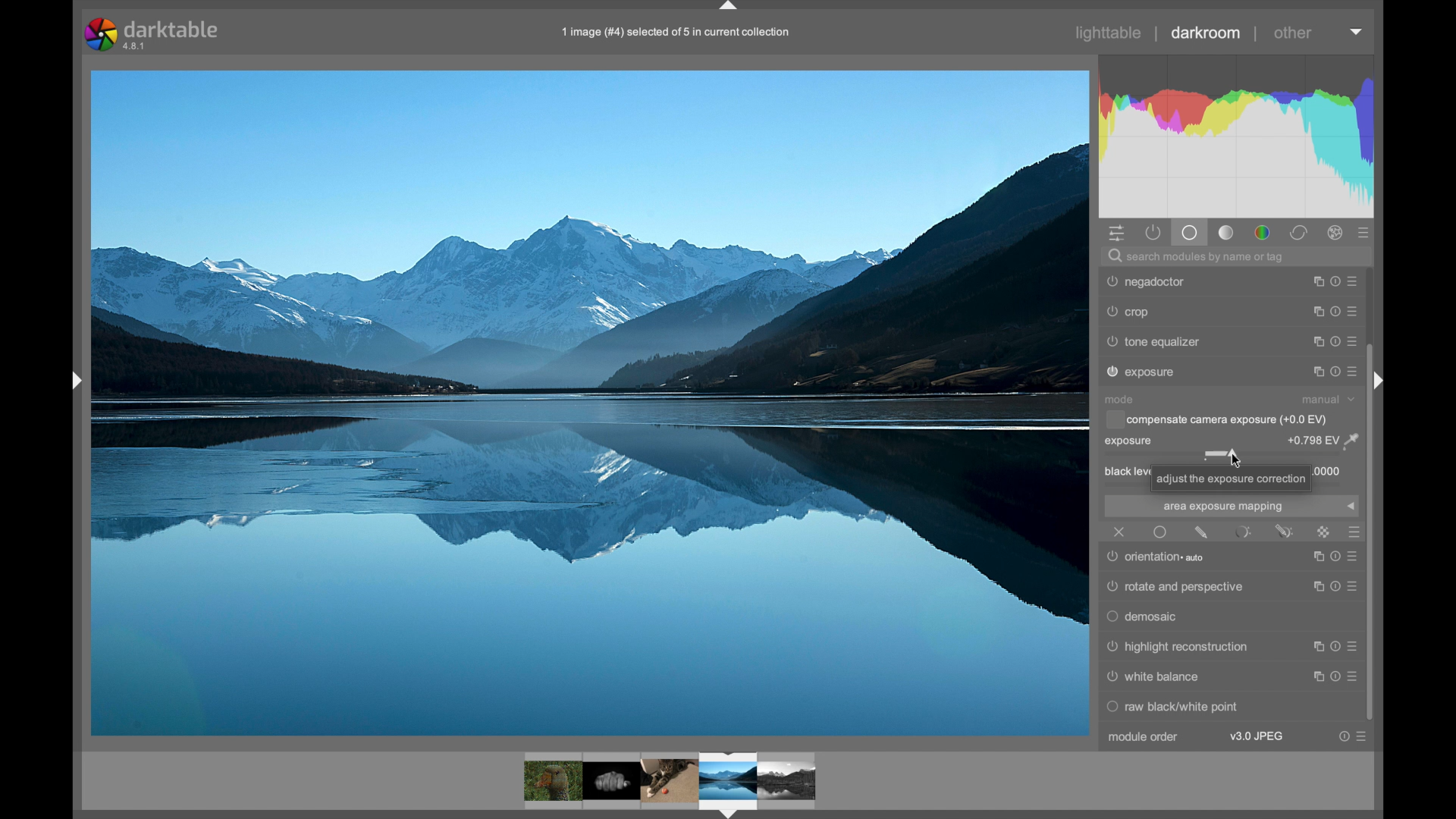 This screenshot has width=1456, height=819. Describe the element at coordinates (1336, 311) in the screenshot. I see `more options` at that location.